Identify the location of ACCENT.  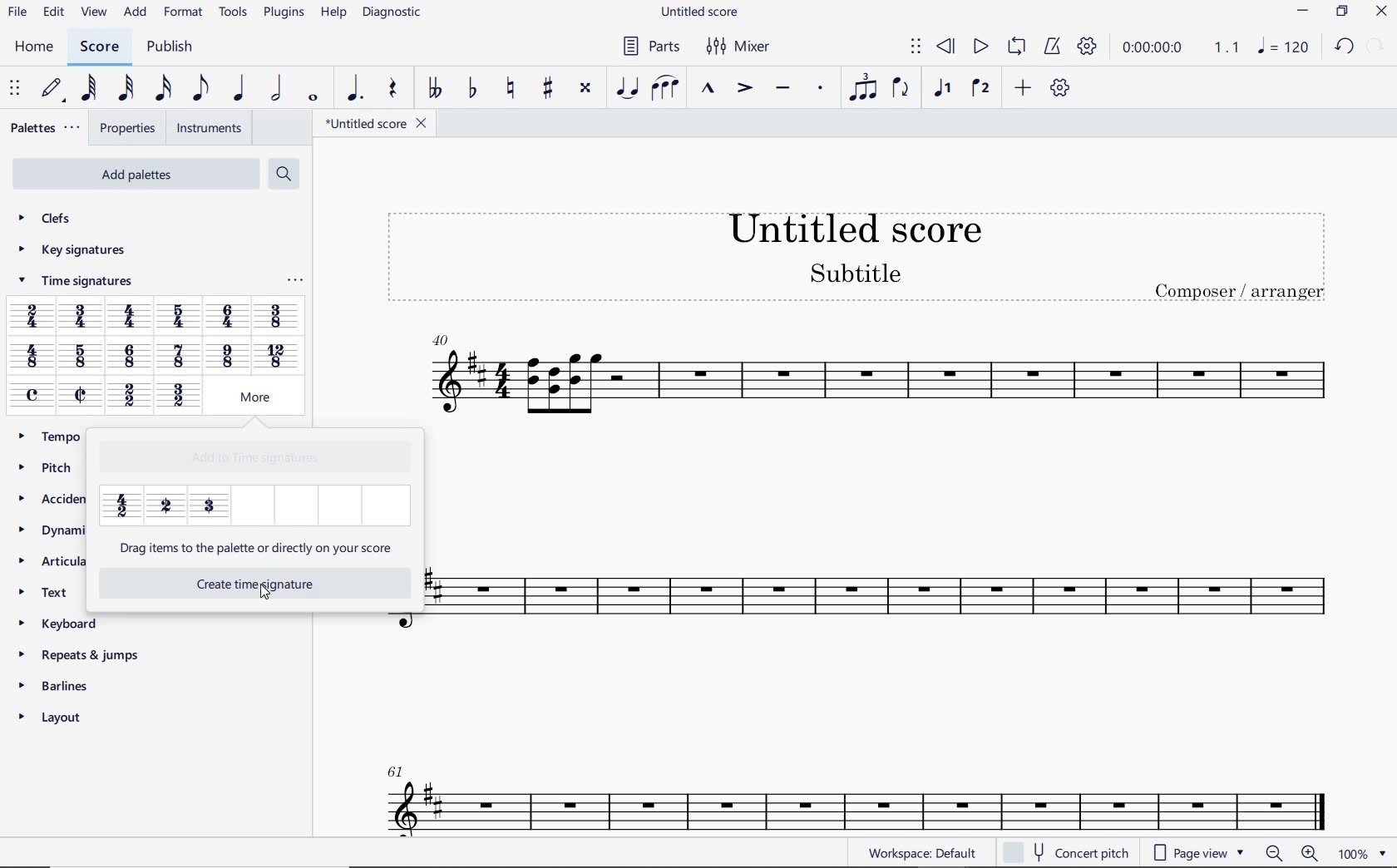
(744, 89).